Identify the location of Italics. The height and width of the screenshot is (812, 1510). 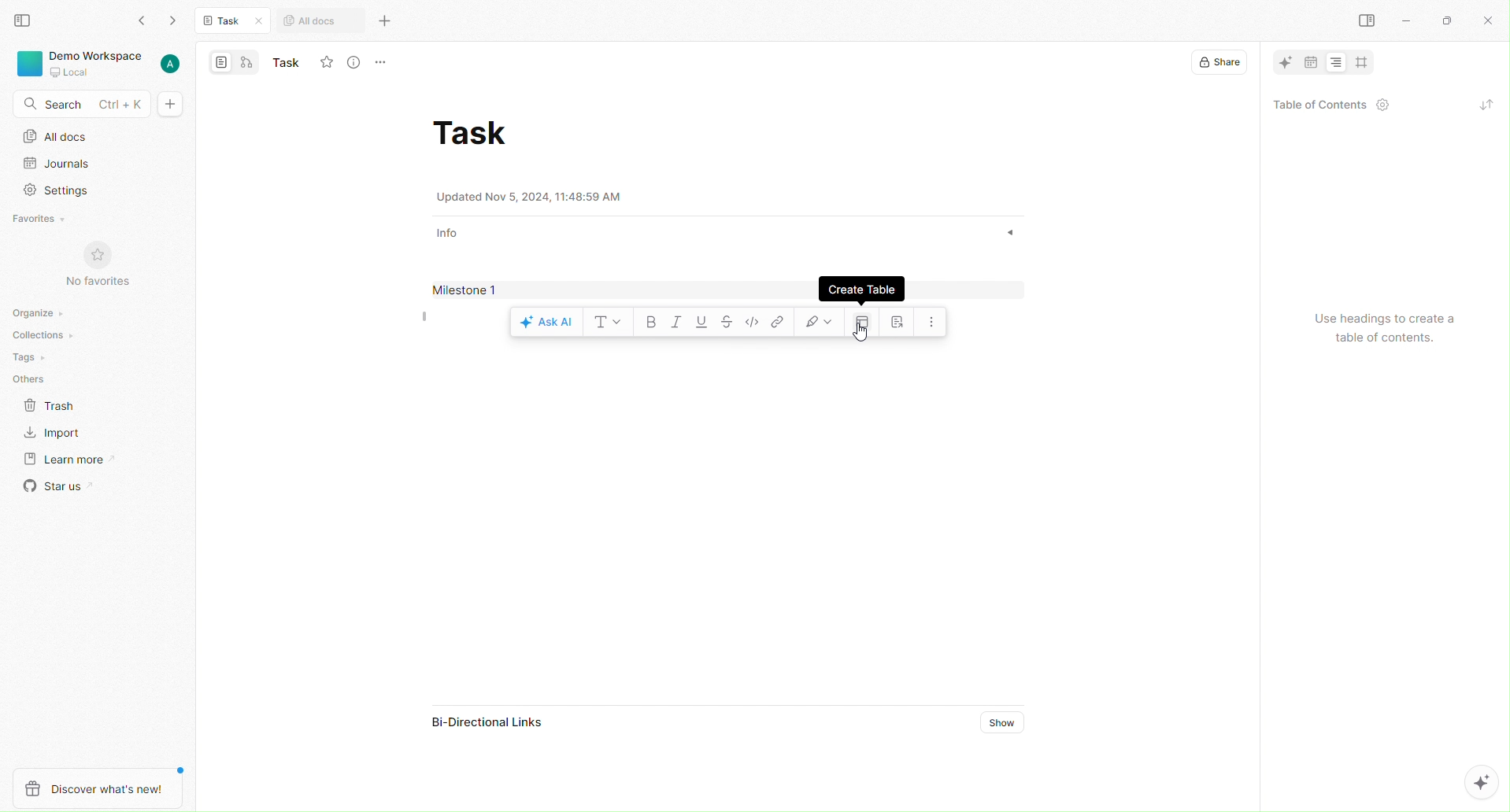
(675, 324).